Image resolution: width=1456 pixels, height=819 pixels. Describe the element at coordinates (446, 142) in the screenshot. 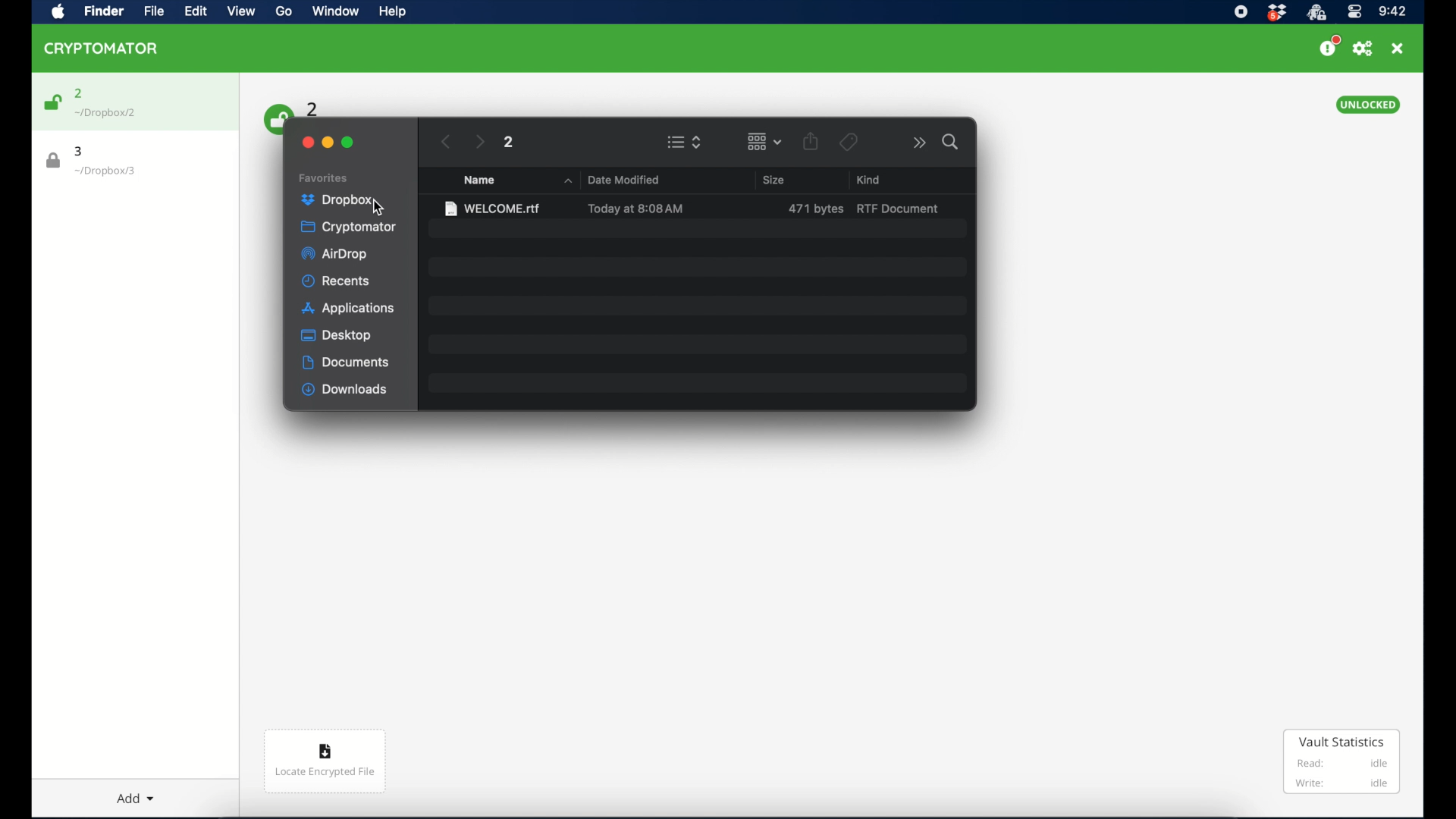

I see `previous` at that location.